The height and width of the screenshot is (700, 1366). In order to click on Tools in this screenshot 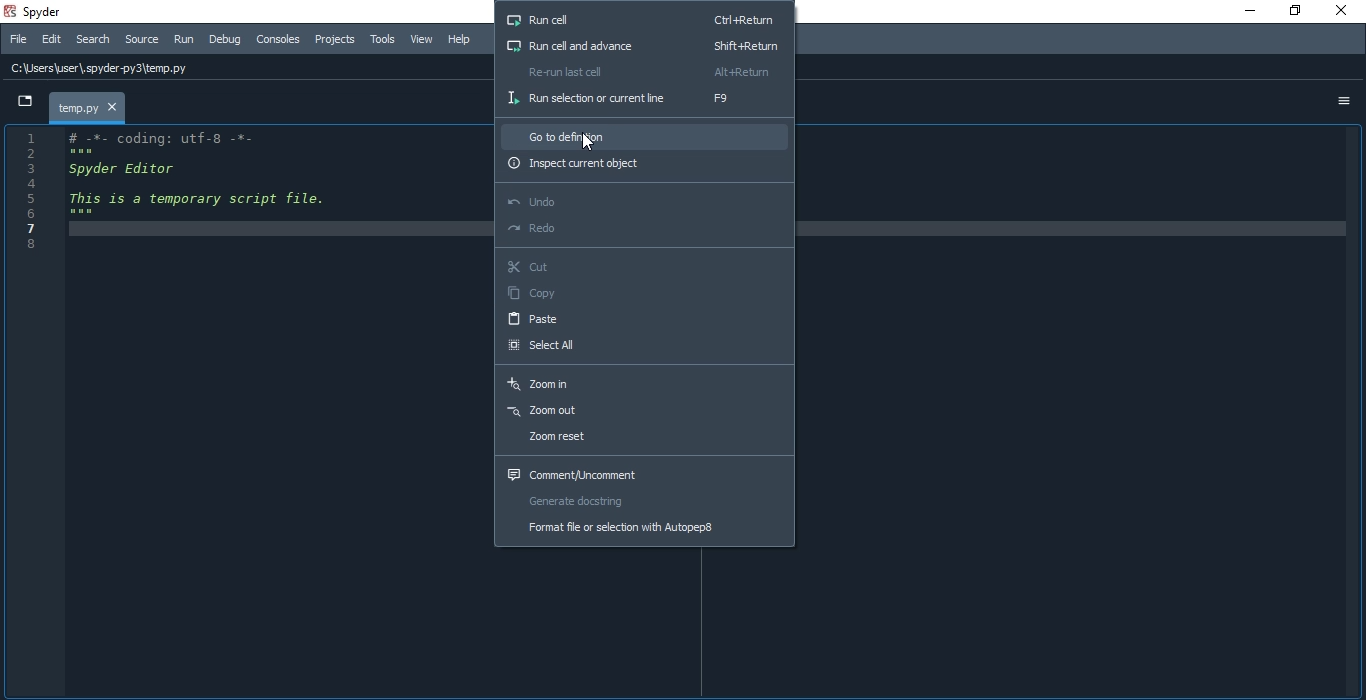, I will do `click(384, 40)`.